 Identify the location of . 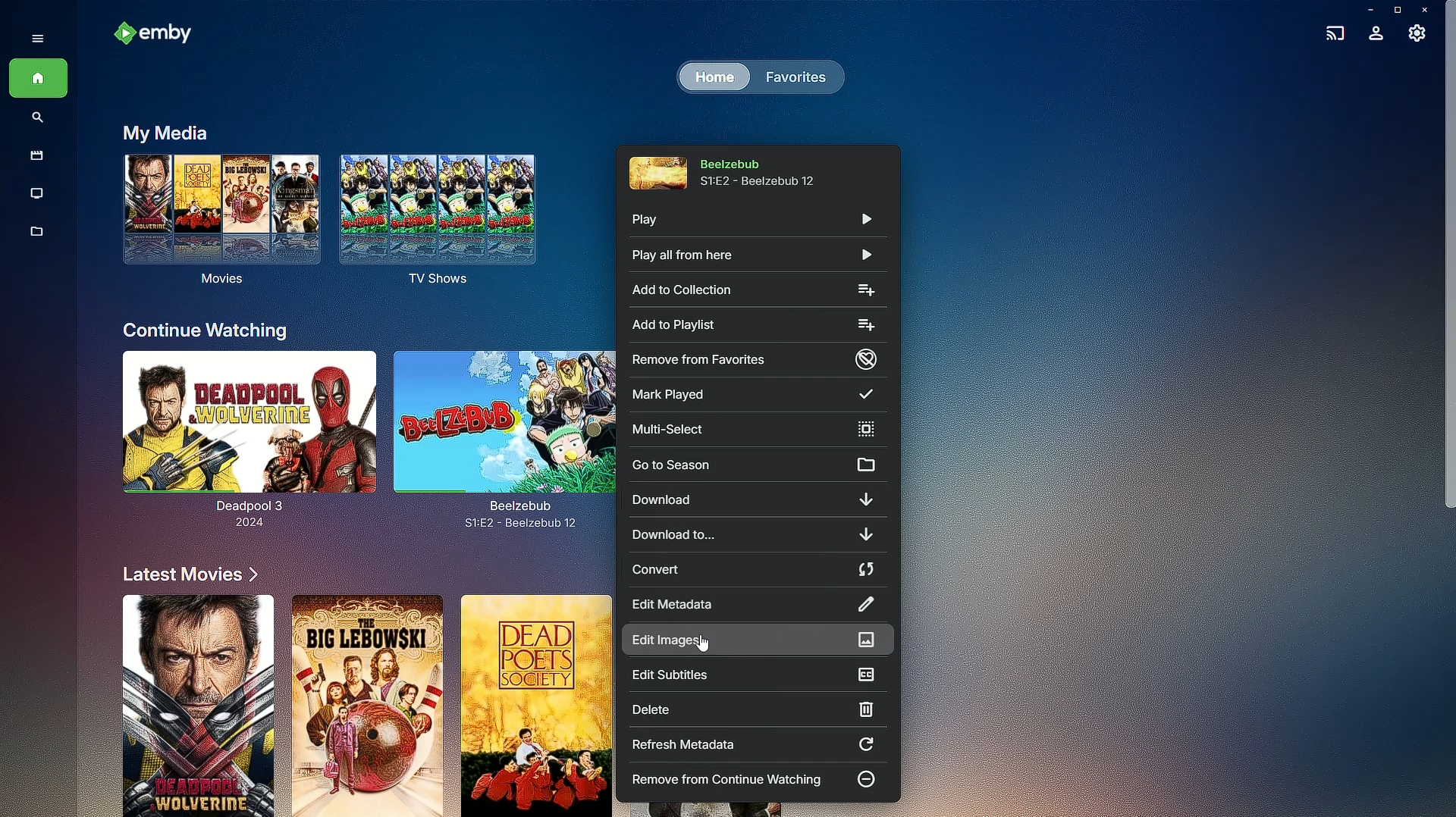
(704, 646).